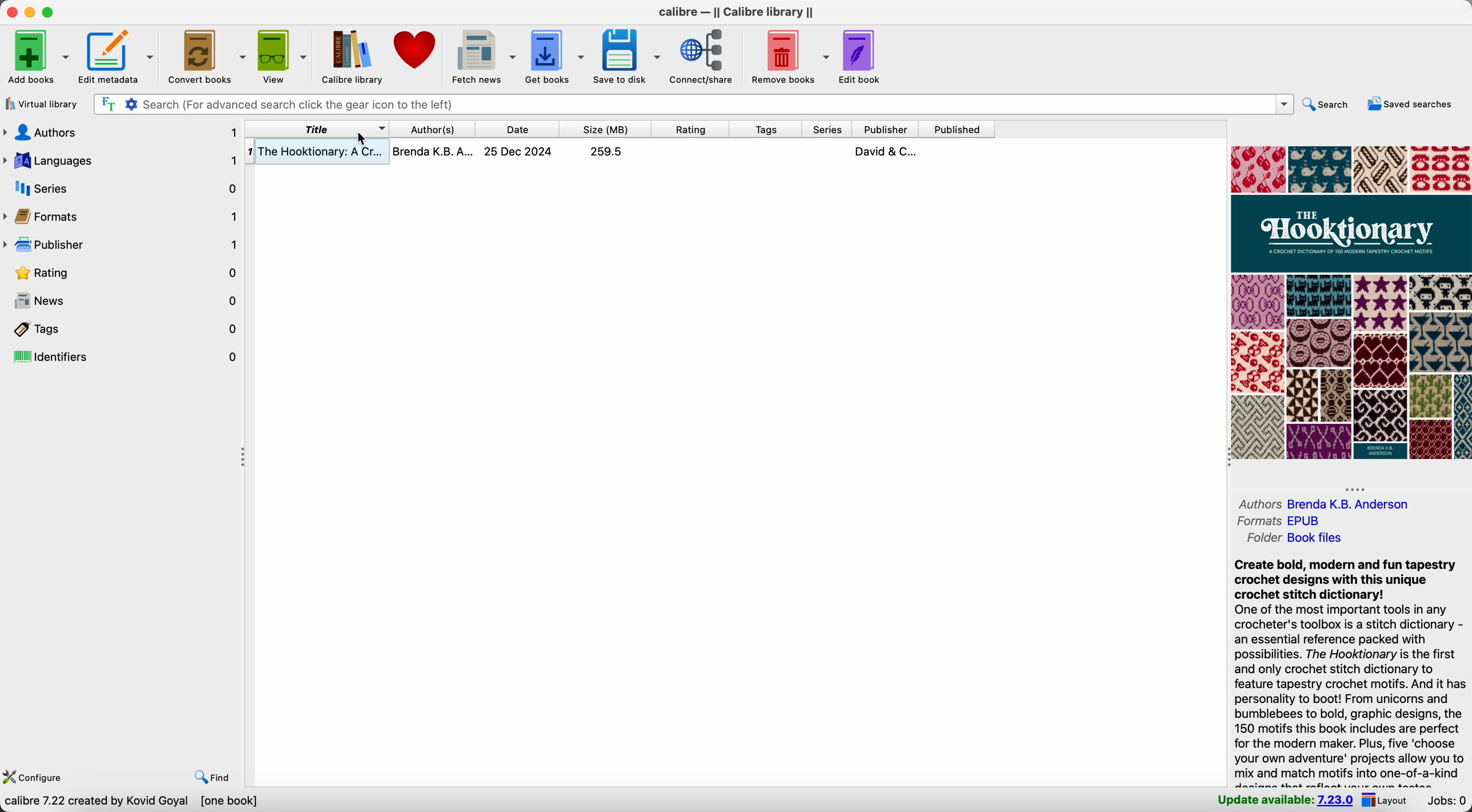  What do you see at coordinates (123, 273) in the screenshot?
I see `rating` at bounding box center [123, 273].